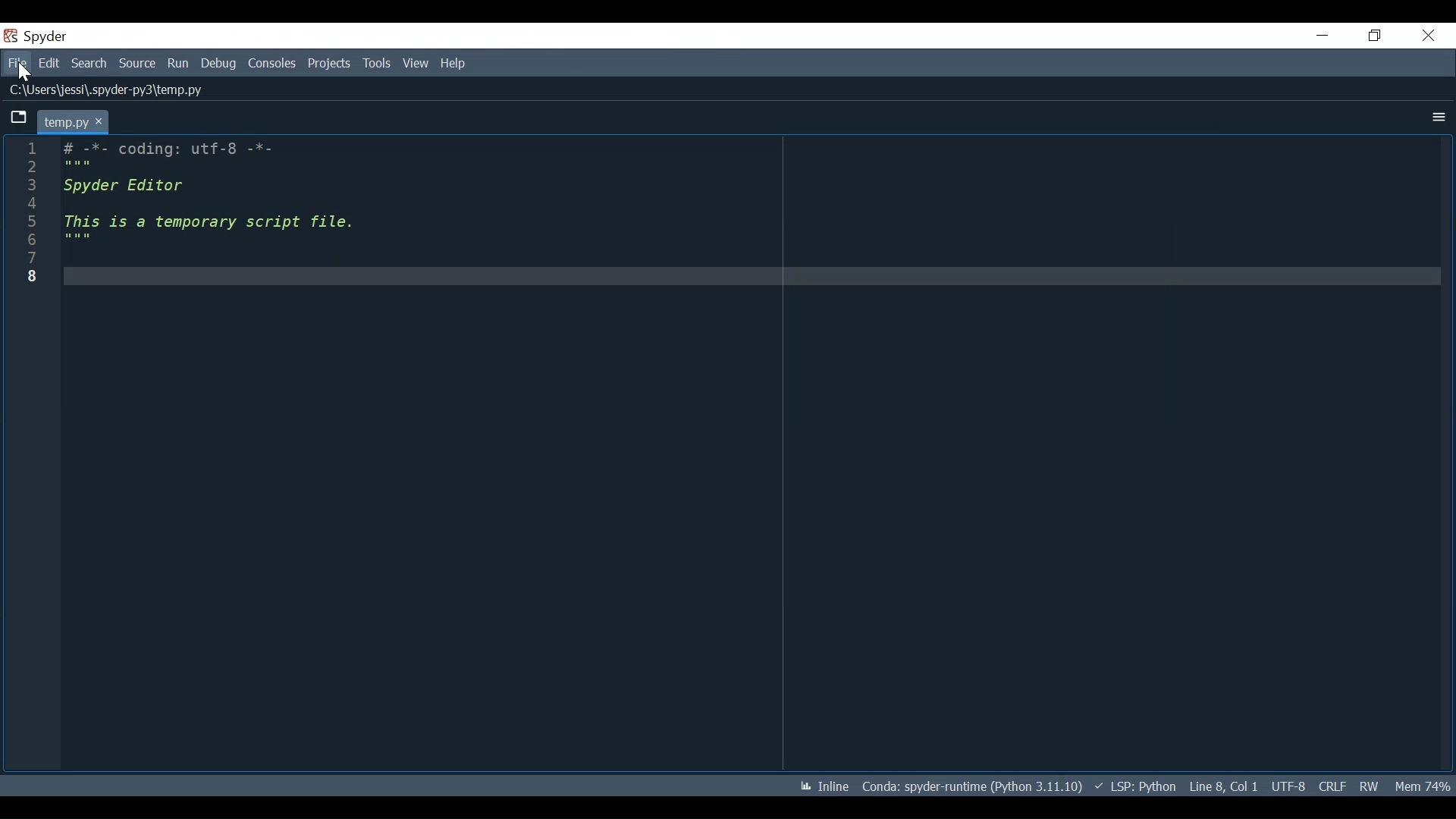 The height and width of the screenshot is (819, 1456). I want to click on Spyder, so click(49, 36).